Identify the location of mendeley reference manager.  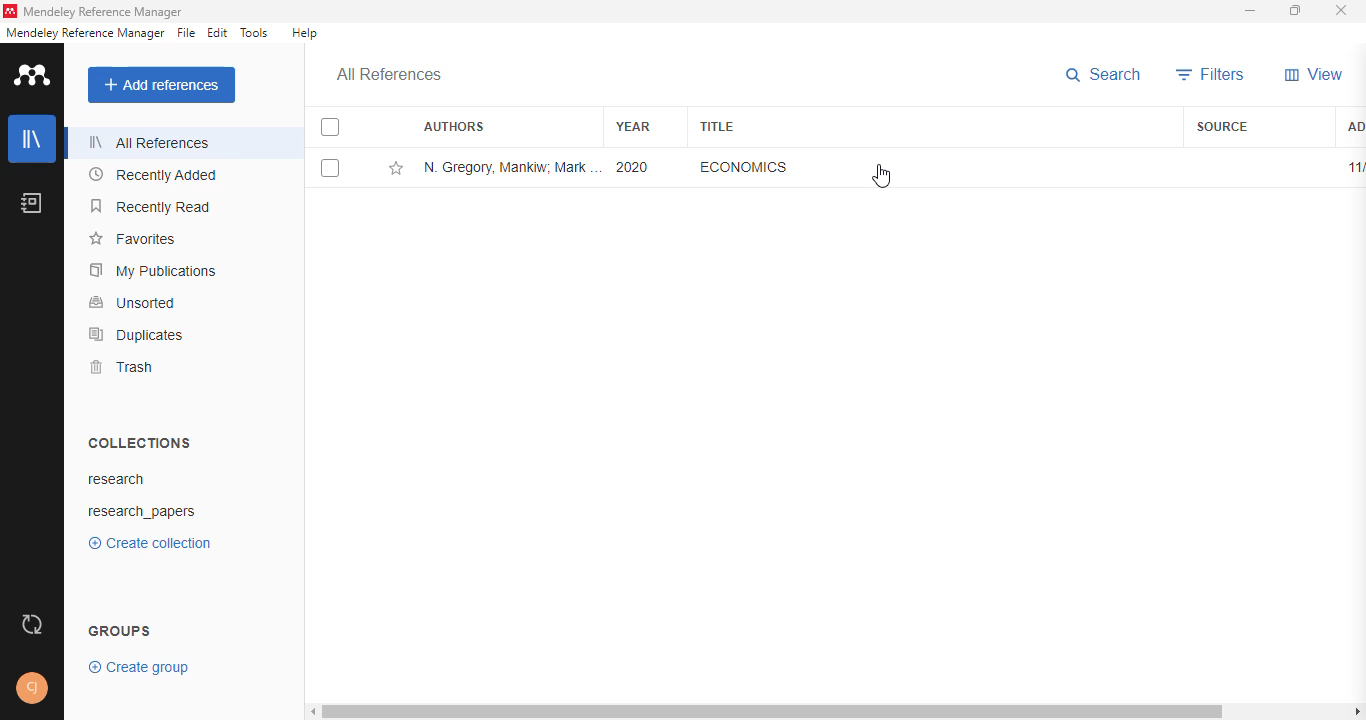
(103, 11).